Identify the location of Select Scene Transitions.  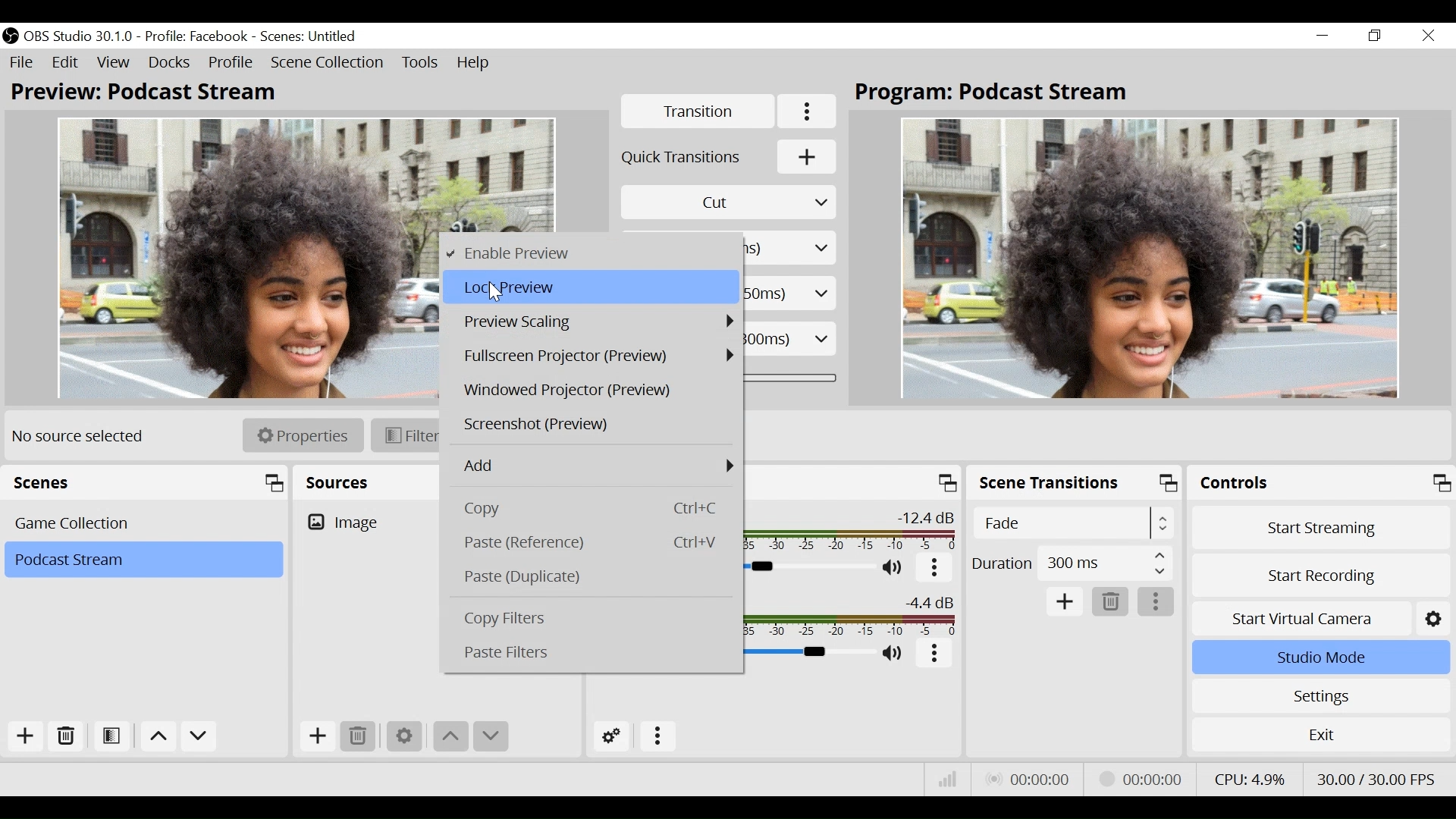
(1075, 522).